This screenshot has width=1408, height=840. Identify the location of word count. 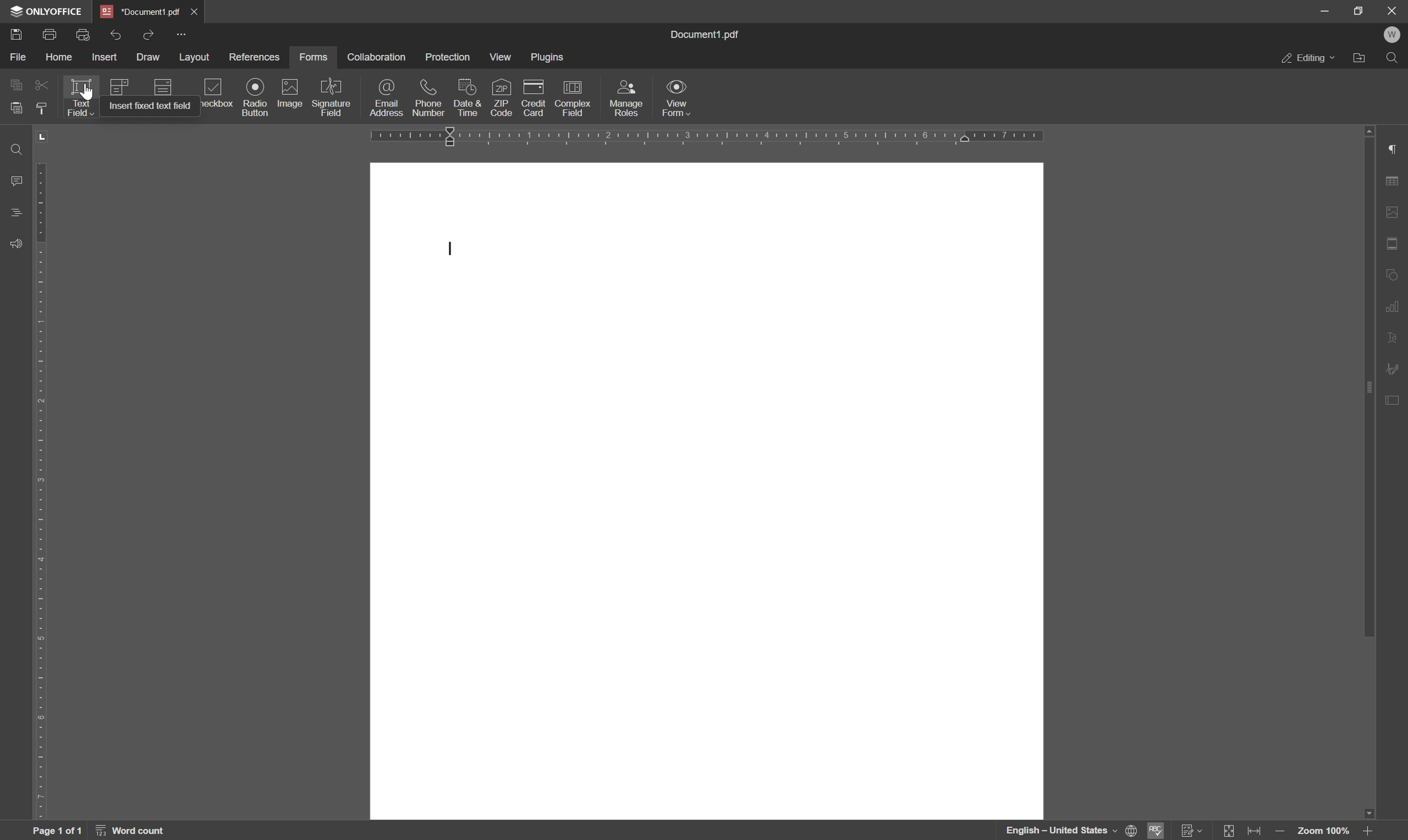
(131, 831).